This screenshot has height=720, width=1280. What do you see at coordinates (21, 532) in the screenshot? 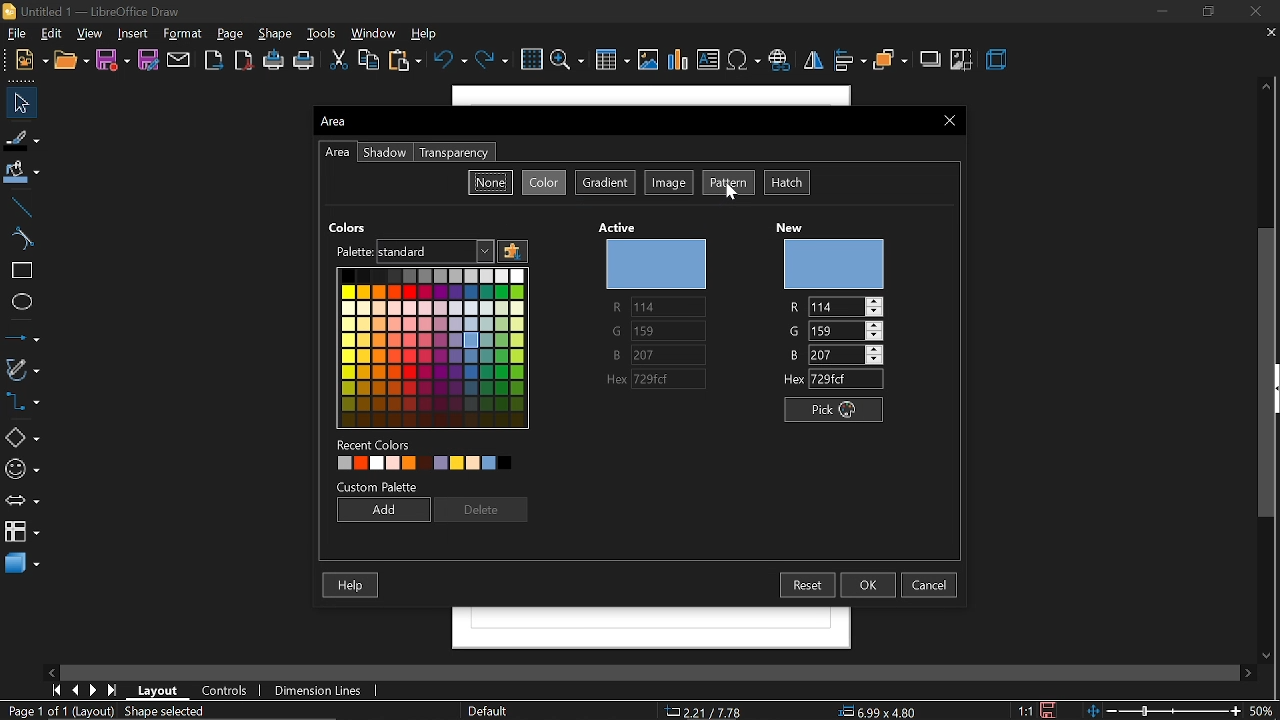
I see `flowchart` at bounding box center [21, 532].